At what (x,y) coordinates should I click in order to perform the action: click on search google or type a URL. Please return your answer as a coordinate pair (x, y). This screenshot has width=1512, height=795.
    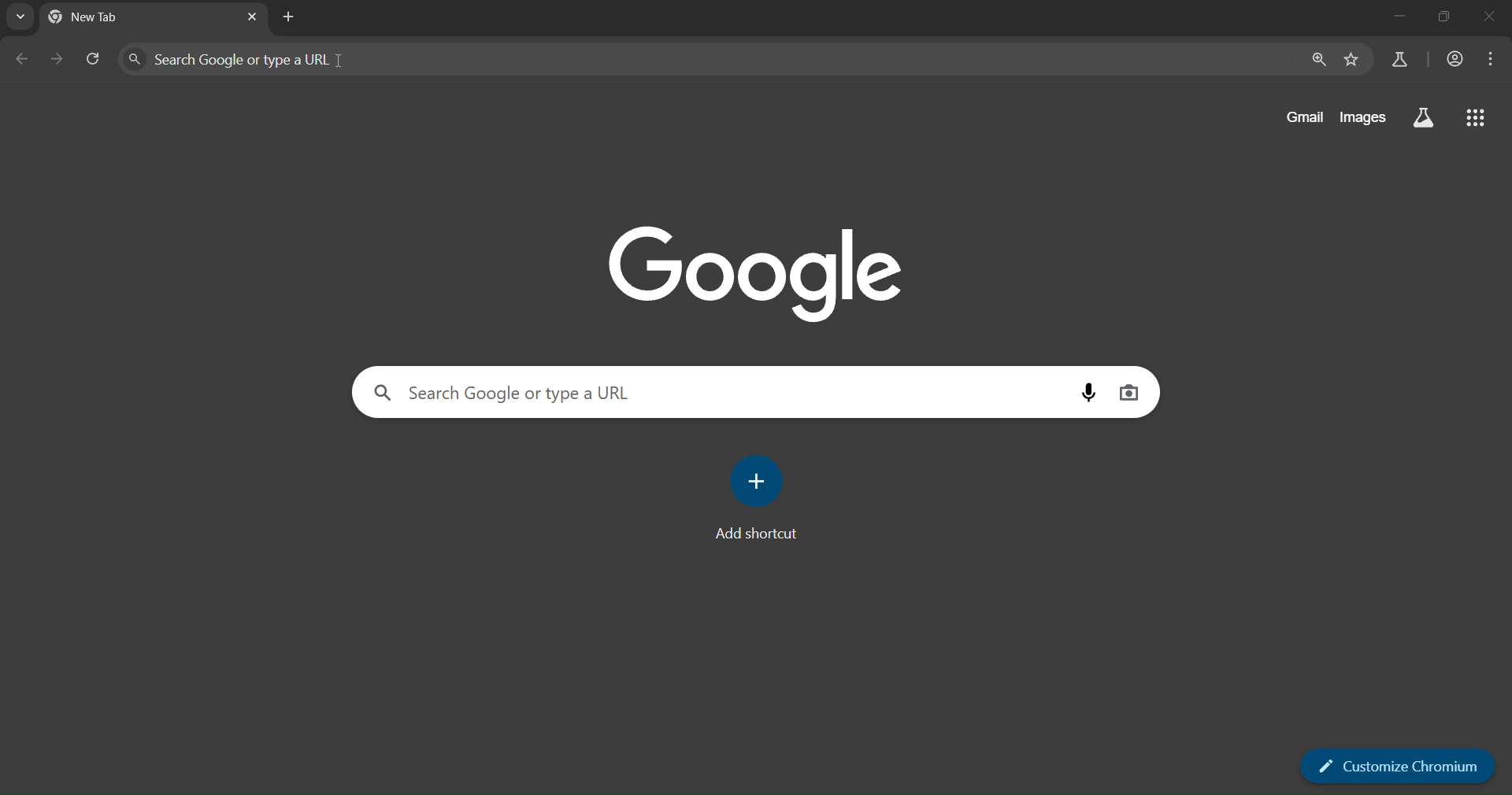
    Looking at the image, I should click on (524, 389).